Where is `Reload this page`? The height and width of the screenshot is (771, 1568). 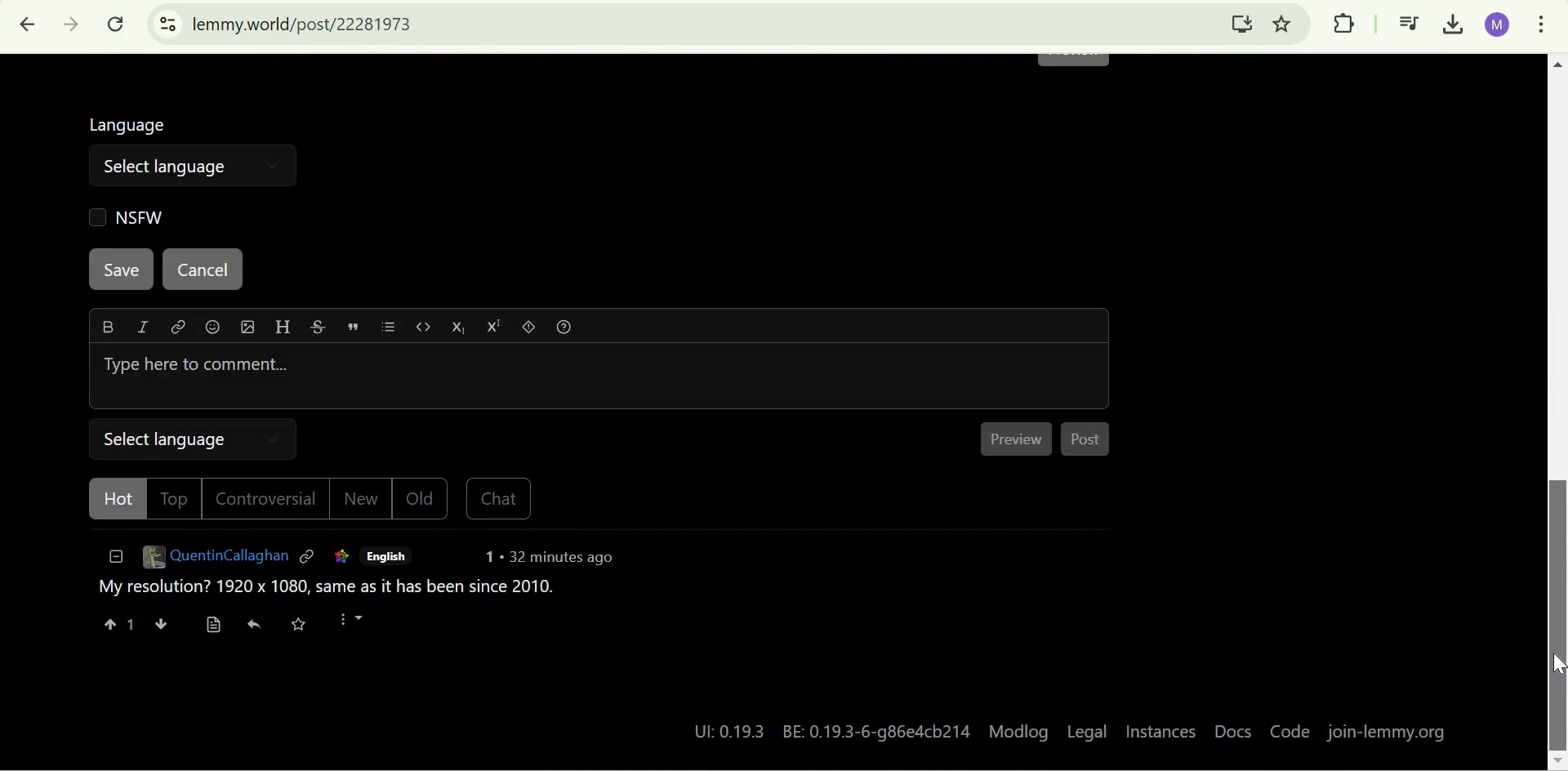
Reload this page is located at coordinates (118, 24).